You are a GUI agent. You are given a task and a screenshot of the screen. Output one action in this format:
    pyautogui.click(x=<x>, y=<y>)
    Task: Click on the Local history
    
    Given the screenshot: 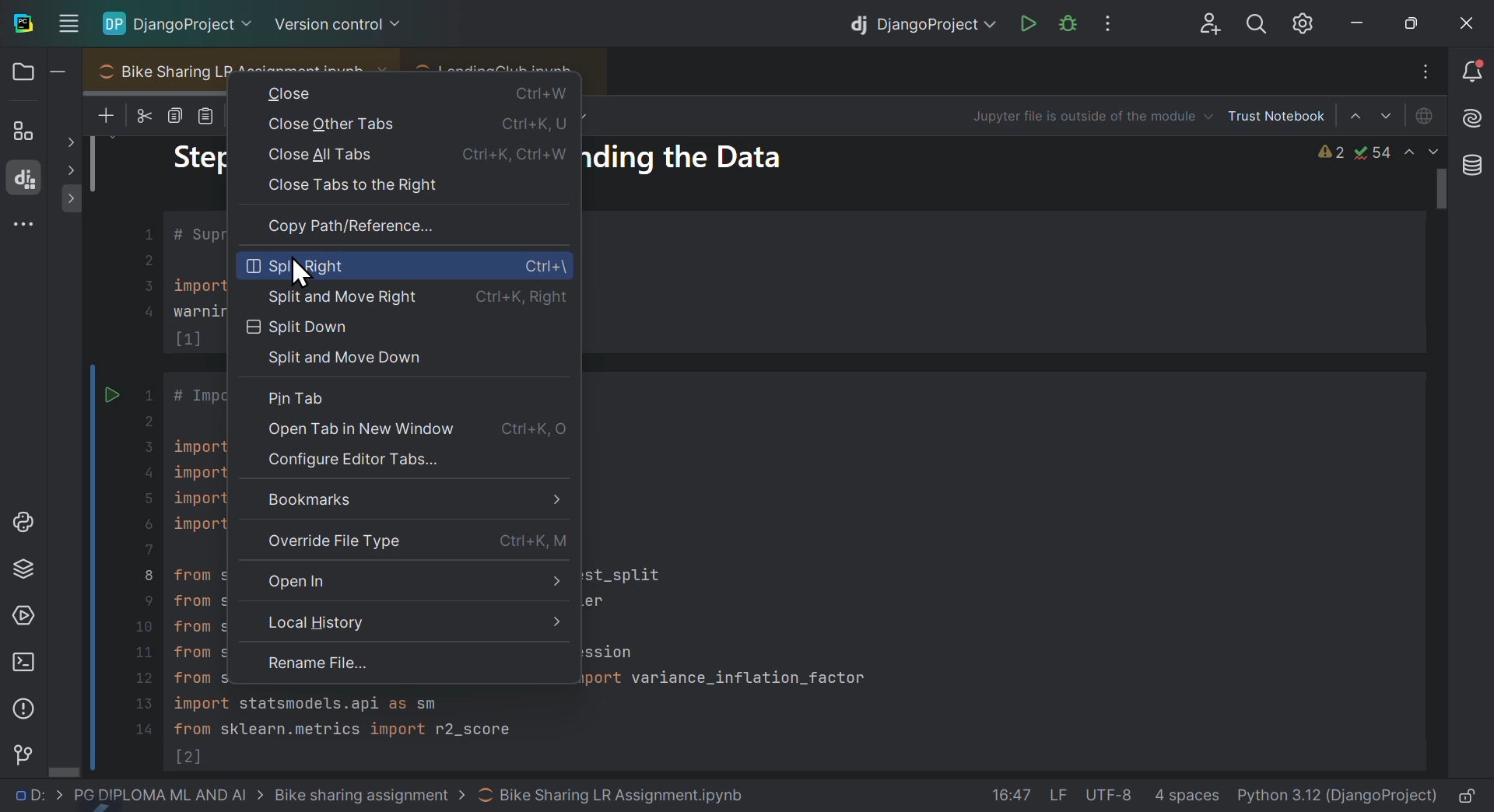 What is the action you would take?
    pyautogui.click(x=417, y=625)
    